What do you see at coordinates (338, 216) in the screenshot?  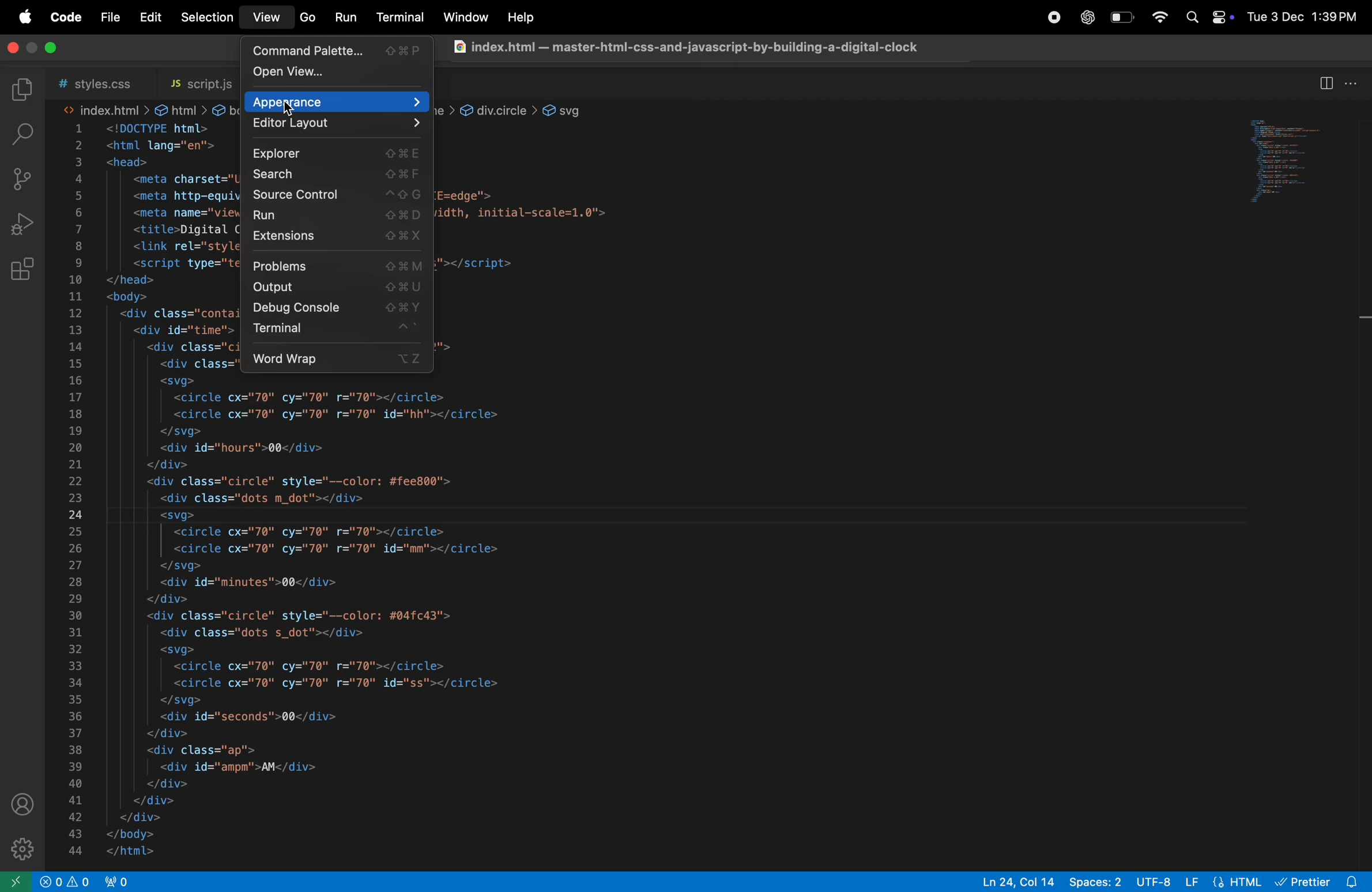 I see `run` at bounding box center [338, 216].